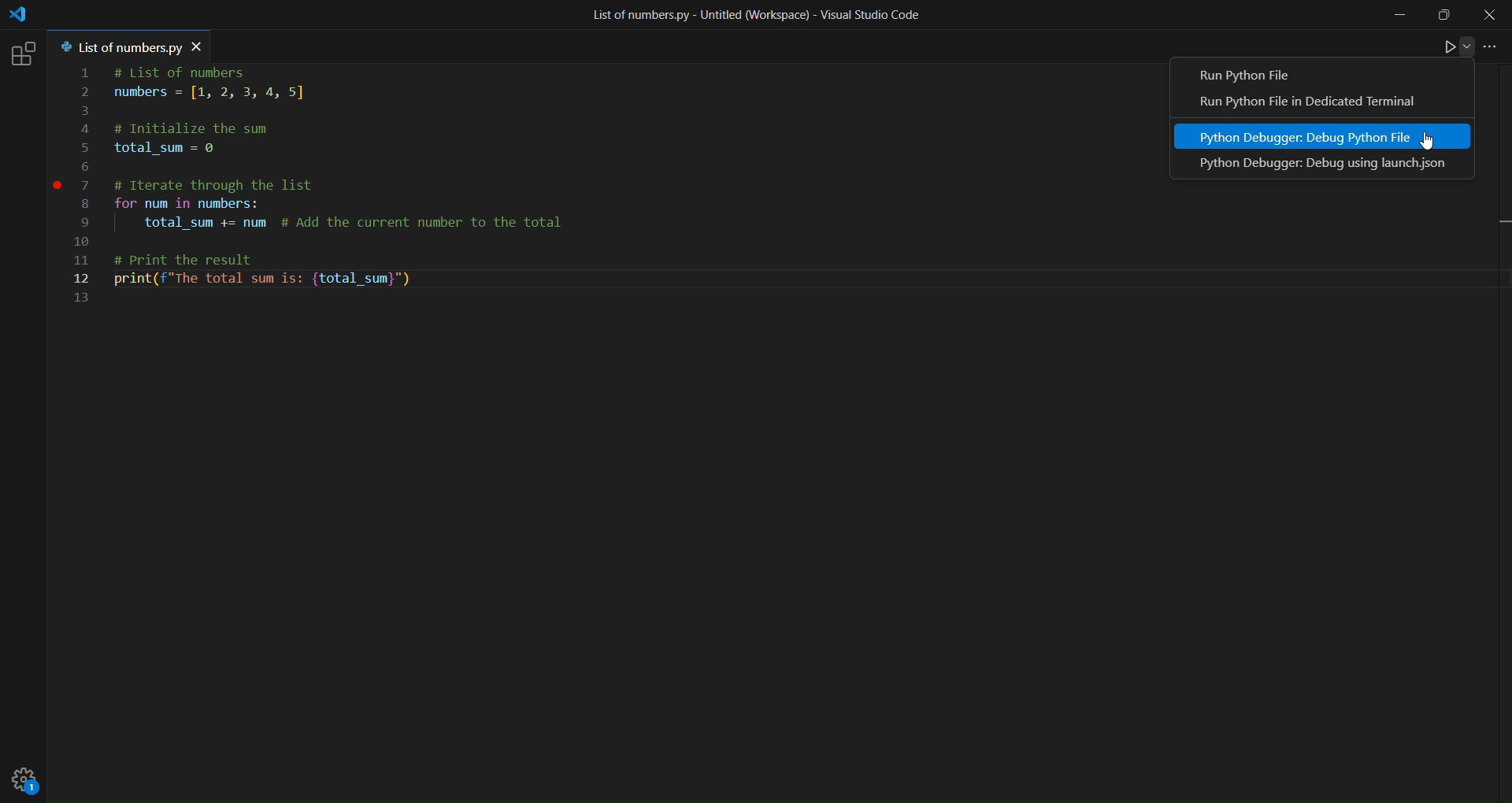  I want to click on extension, so click(24, 54).